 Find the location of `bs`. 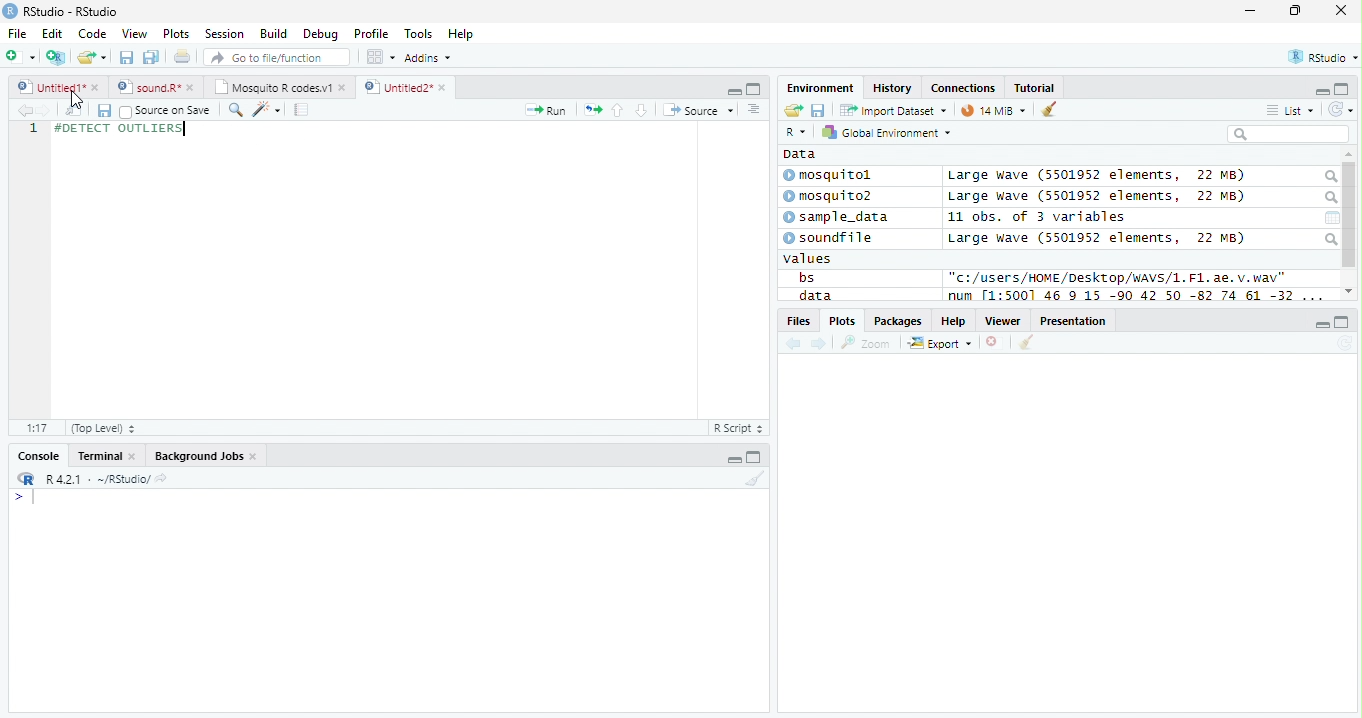

bs is located at coordinates (806, 277).